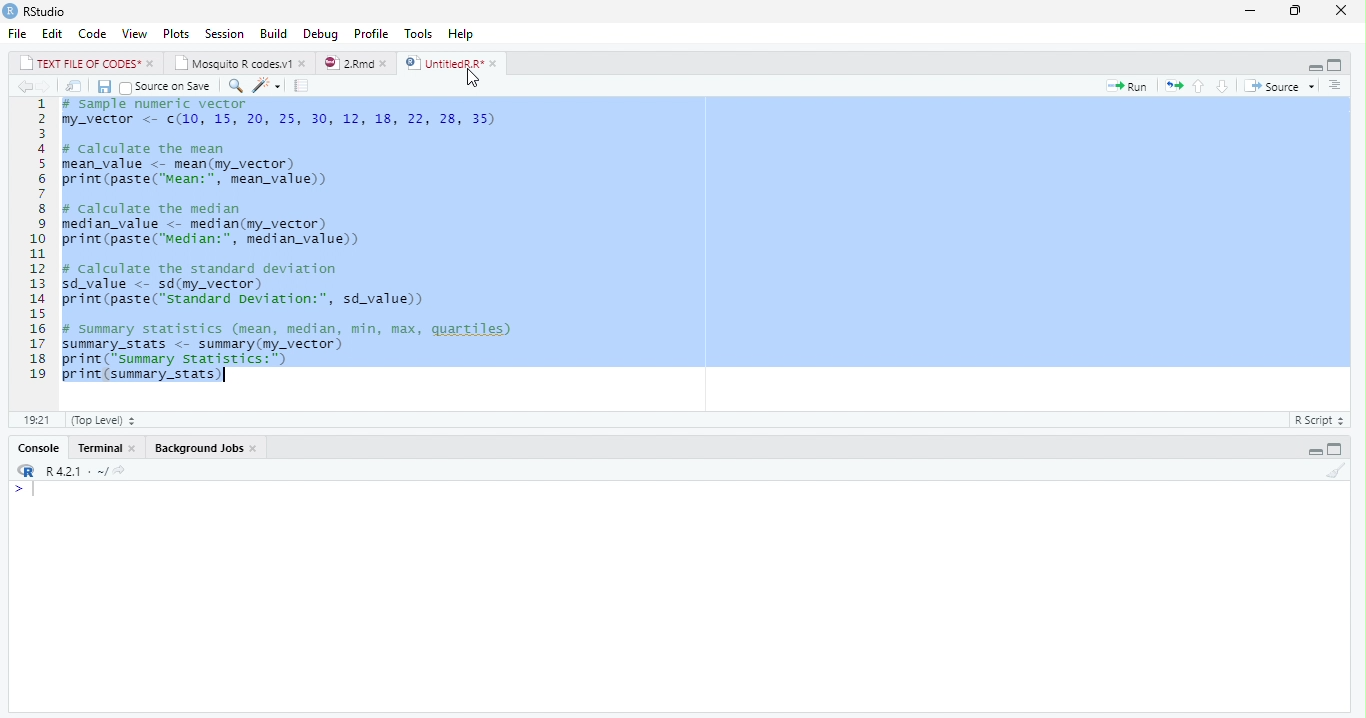 The width and height of the screenshot is (1366, 718). What do you see at coordinates (177, 34) in the screenshot?
I see `plots` at bounding box center [177, 34].